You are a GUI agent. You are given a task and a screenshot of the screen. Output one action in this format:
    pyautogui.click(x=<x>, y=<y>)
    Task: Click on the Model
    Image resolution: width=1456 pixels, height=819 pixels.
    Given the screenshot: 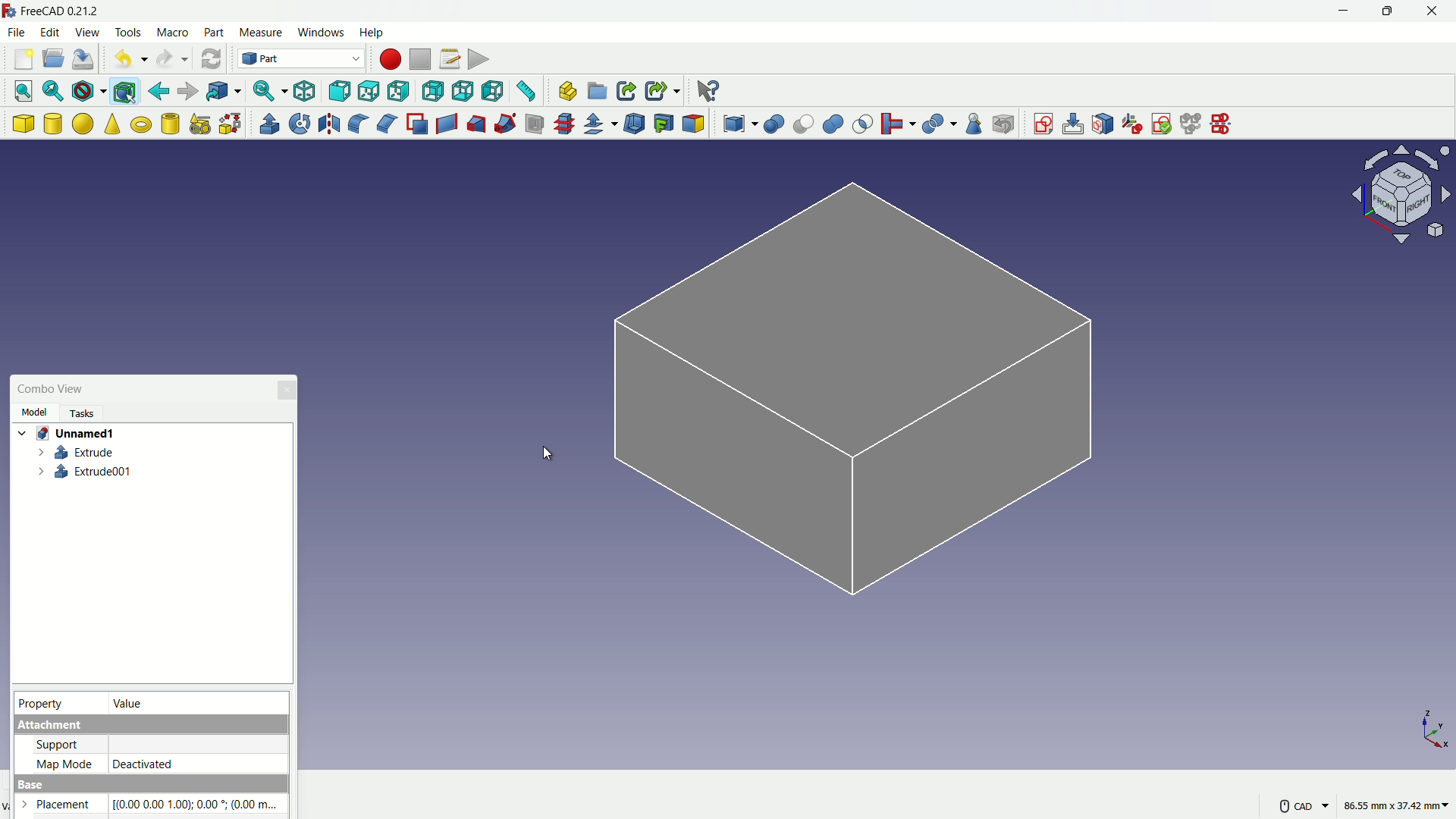 What is the action you would take?
    pyautogui.click(x=36, y=413)
    